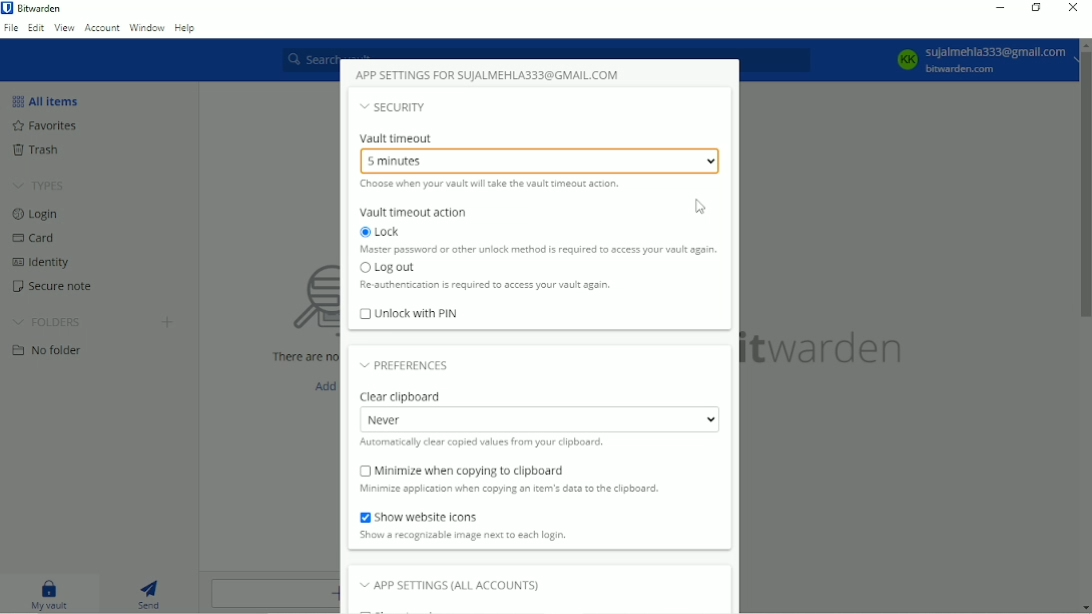 This screenshot has width=1092, height=614. What do you see at coordinates (463, 535) in the screenshot?
I see `Show a recognizable image next to each login.` at bounding box center [463, 535].